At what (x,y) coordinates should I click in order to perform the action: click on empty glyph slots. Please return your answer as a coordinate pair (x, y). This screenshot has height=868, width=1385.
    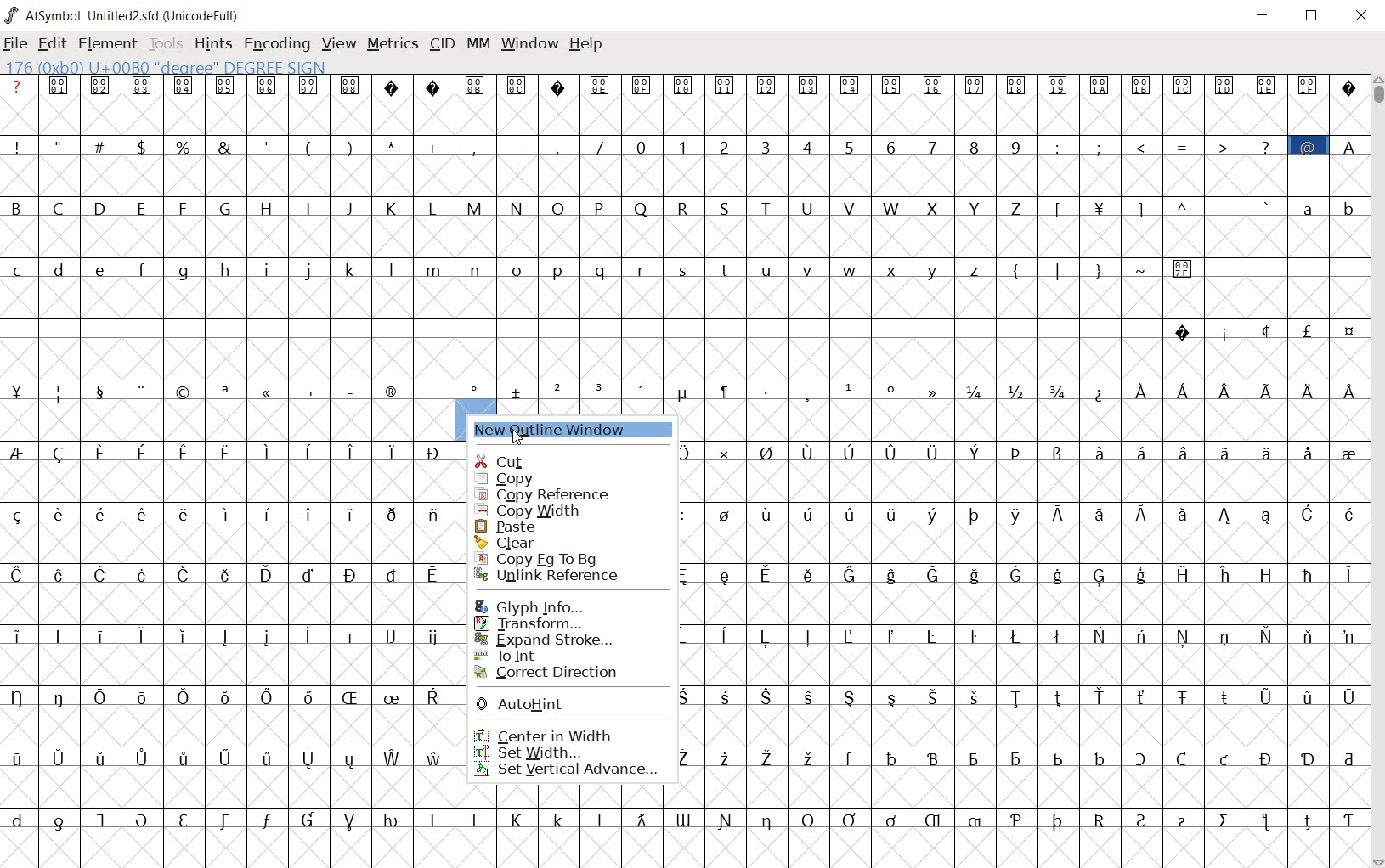
    Looking at the image, I should click on (232, 728).